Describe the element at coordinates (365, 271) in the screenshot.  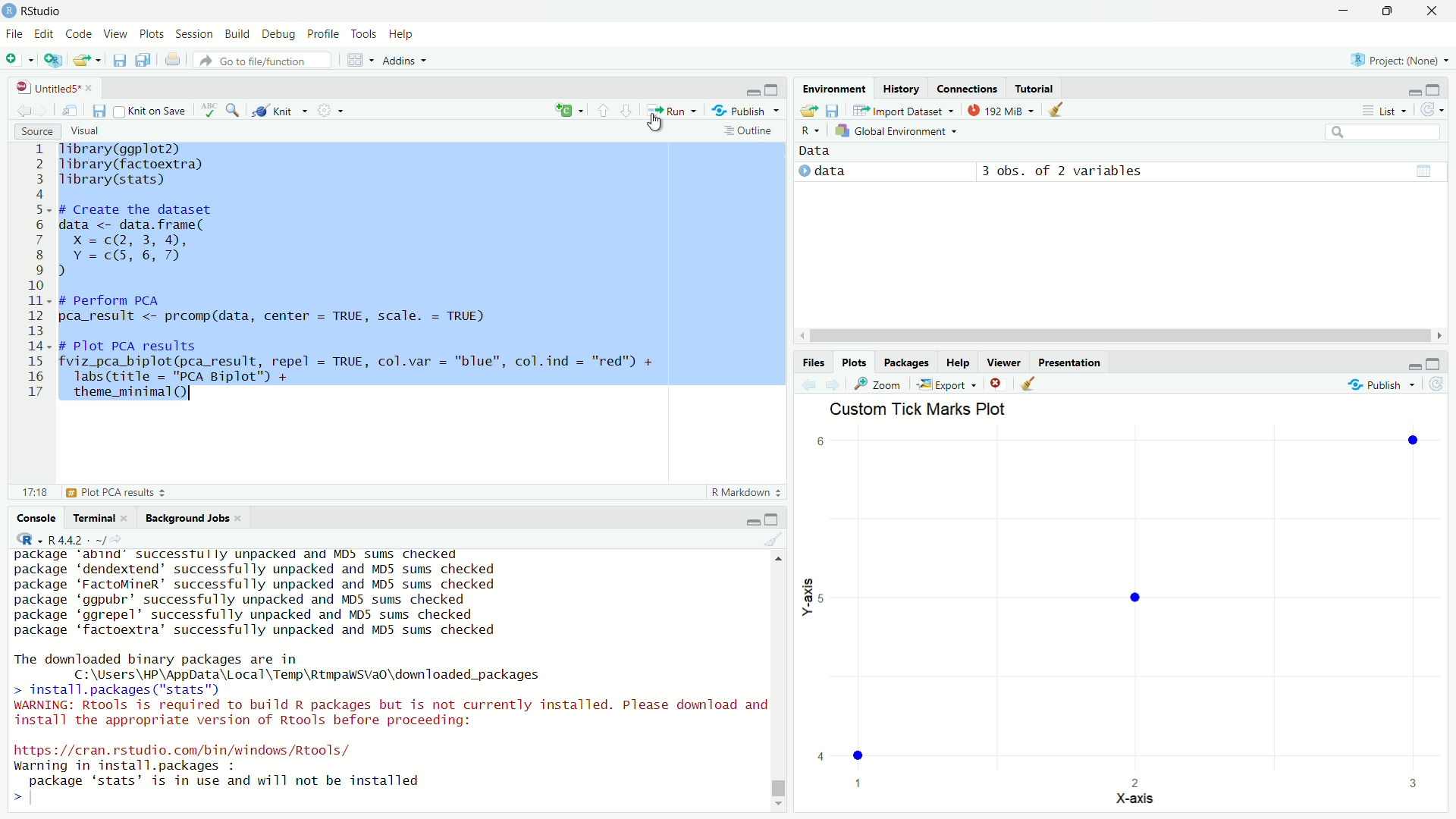
I see `Tibrary(ggplot2)
Tibrary(factoextra)
Tibrary(stats)
# Create the dataset
data <- data. frame(
X =c(2, 3, 4,
Y=c(5,6,7)
)
# perform PCA I
pca_result <- prcomp(data, center = TRUE, scale. = TRUE)
# Plot PCA results|
fviz_pca_biplot(pca_result, repel = TRUE, col.var = "blue", col.ind = "red") +
labs (title = "PCA Biplot") +
theme_minimal()` at that location.